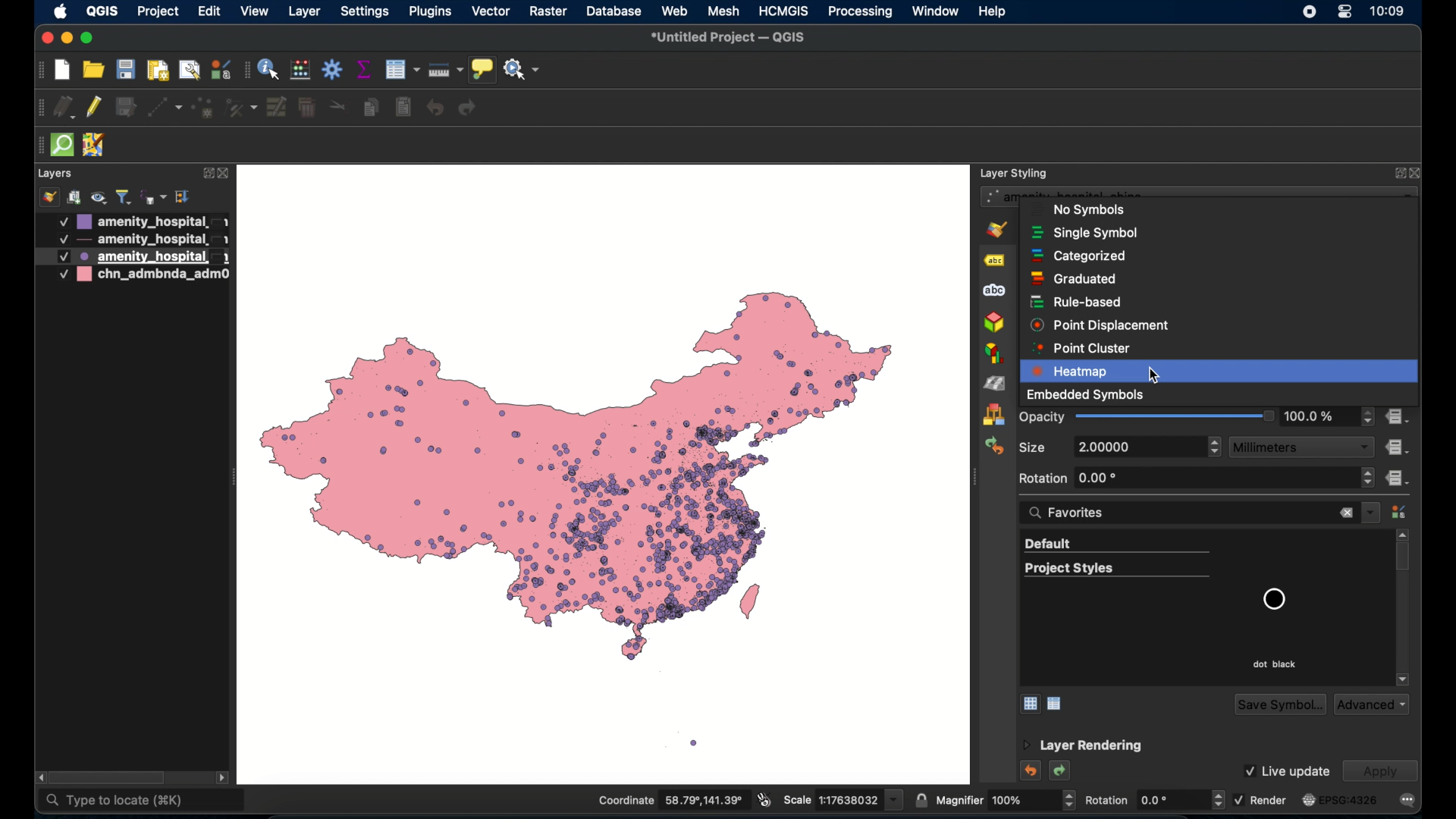  What do you see at coordinates (56, 173) in the screenshot?
I see `layers` at bounding box center [56, 173].